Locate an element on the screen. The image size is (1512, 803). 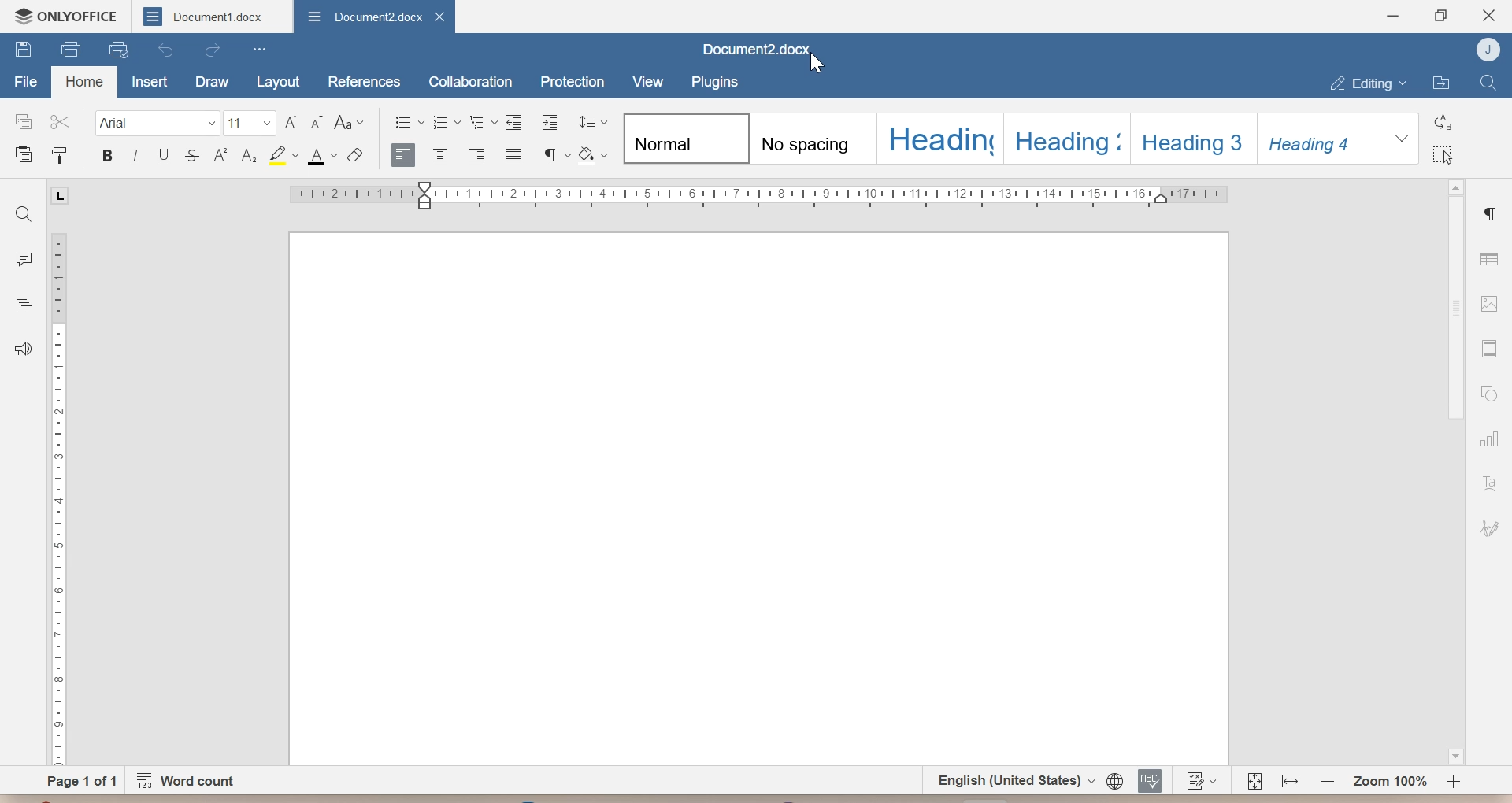
Home is located at coordinates (83, 83).